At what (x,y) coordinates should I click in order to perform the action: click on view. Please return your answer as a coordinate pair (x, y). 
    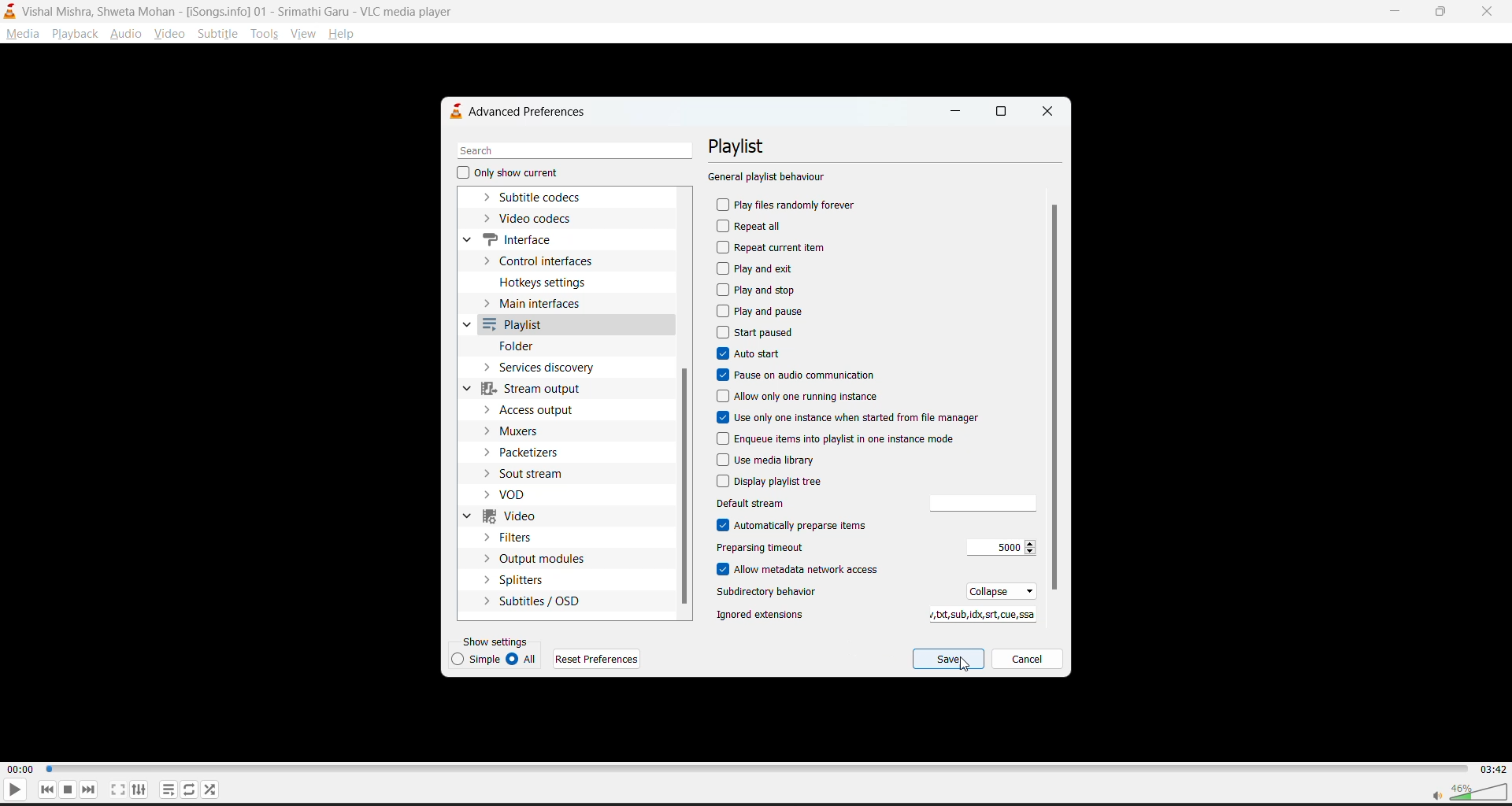
    Looking at the image, I should click on (306, 37).